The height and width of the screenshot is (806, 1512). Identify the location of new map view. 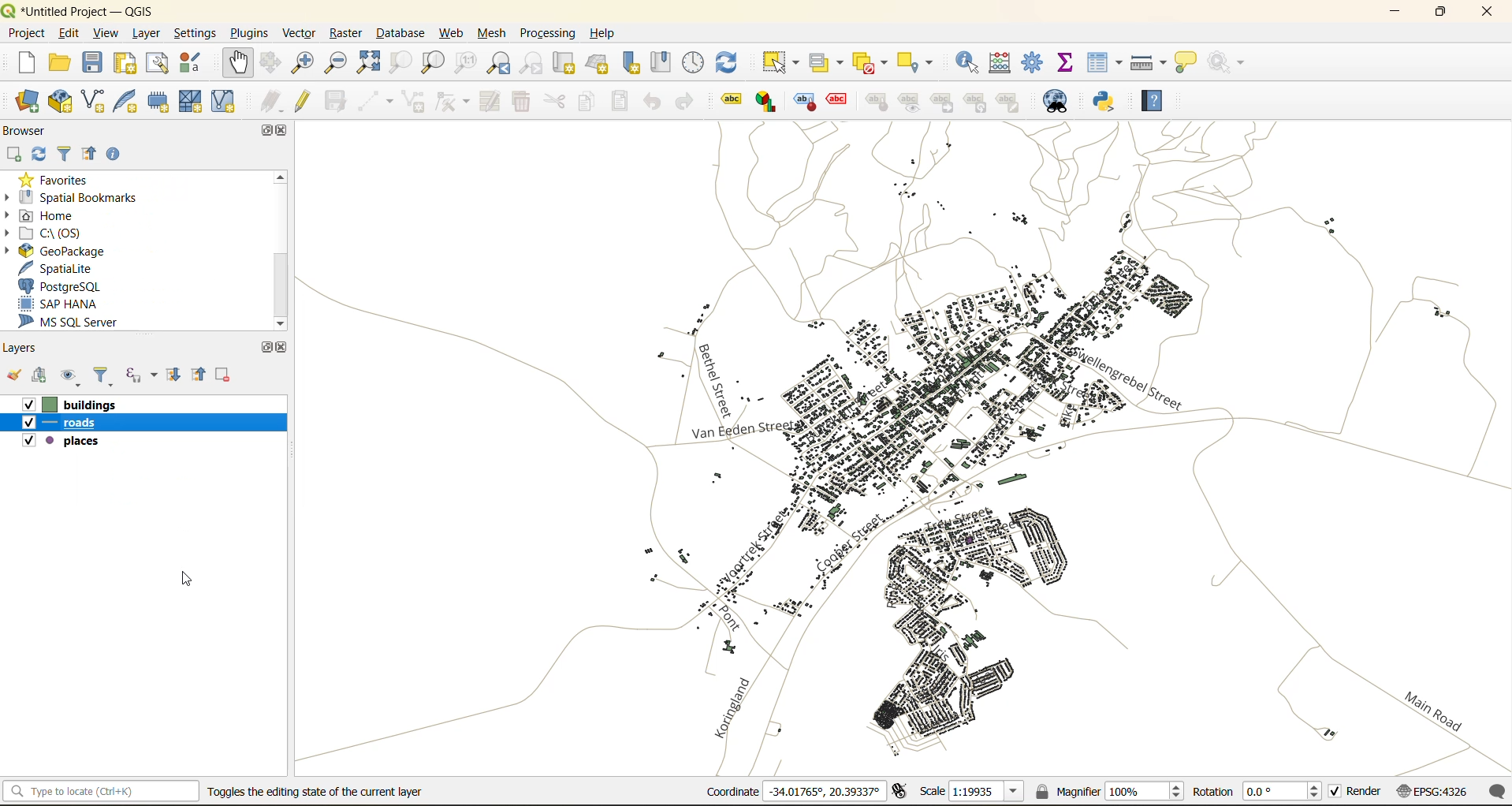
(564, 65).